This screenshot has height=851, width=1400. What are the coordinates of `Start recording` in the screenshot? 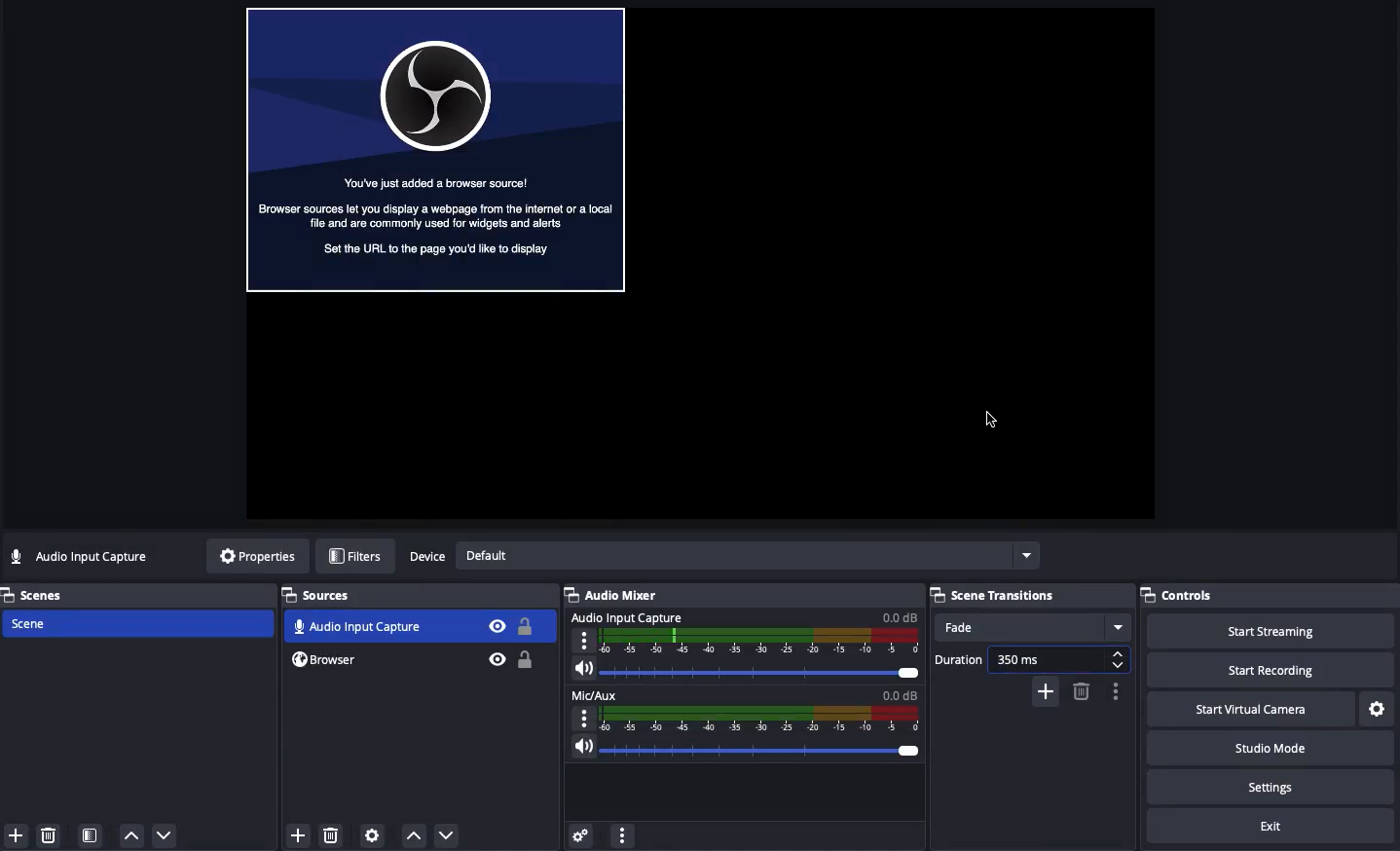 It's located at (1268, 670).